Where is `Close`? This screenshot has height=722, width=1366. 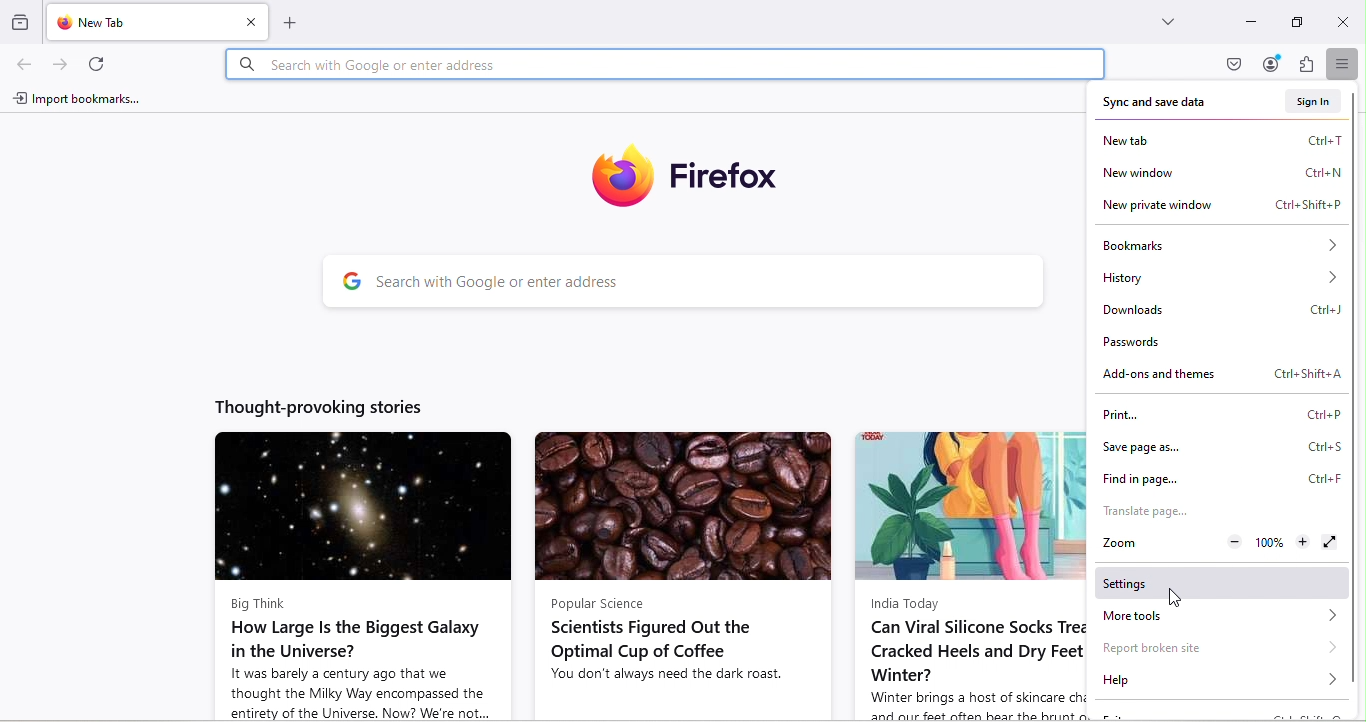
Close is located at coordinates (1345, 22).